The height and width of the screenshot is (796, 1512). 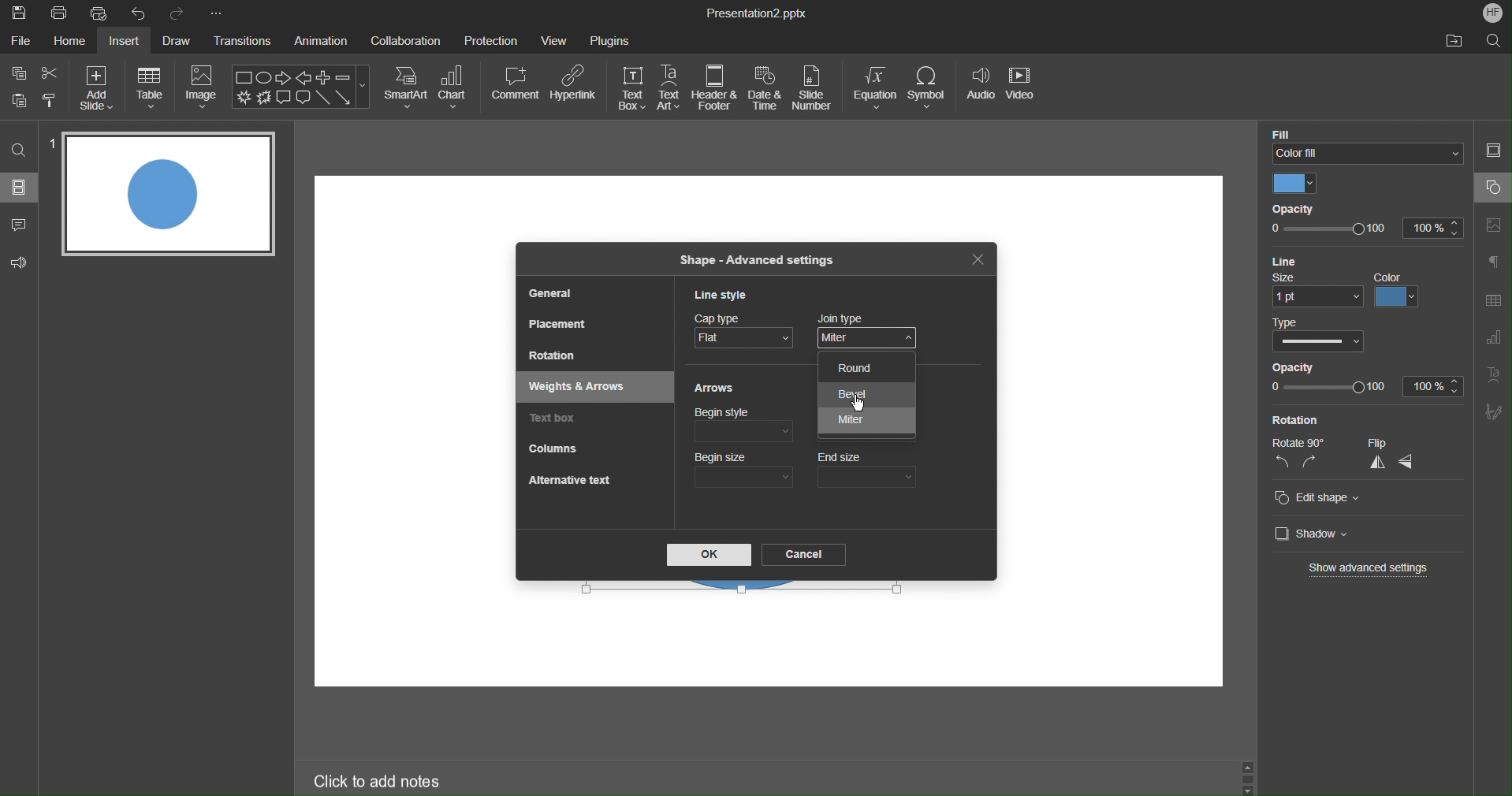 I want to click on Arrows, so click(x=714, y=389).